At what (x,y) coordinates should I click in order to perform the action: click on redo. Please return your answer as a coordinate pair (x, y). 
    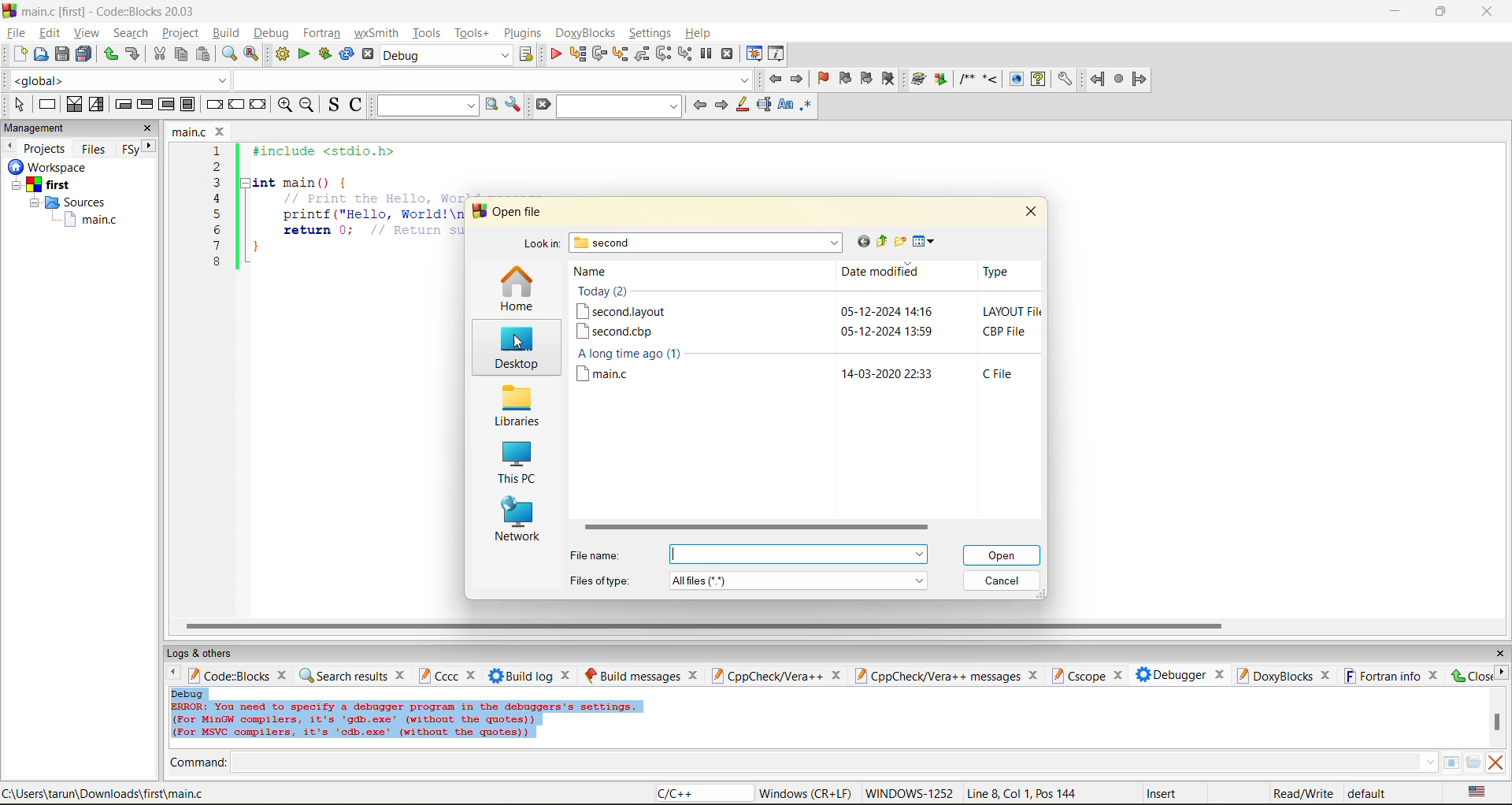
    Looking at the image, I should click on (110, 54).